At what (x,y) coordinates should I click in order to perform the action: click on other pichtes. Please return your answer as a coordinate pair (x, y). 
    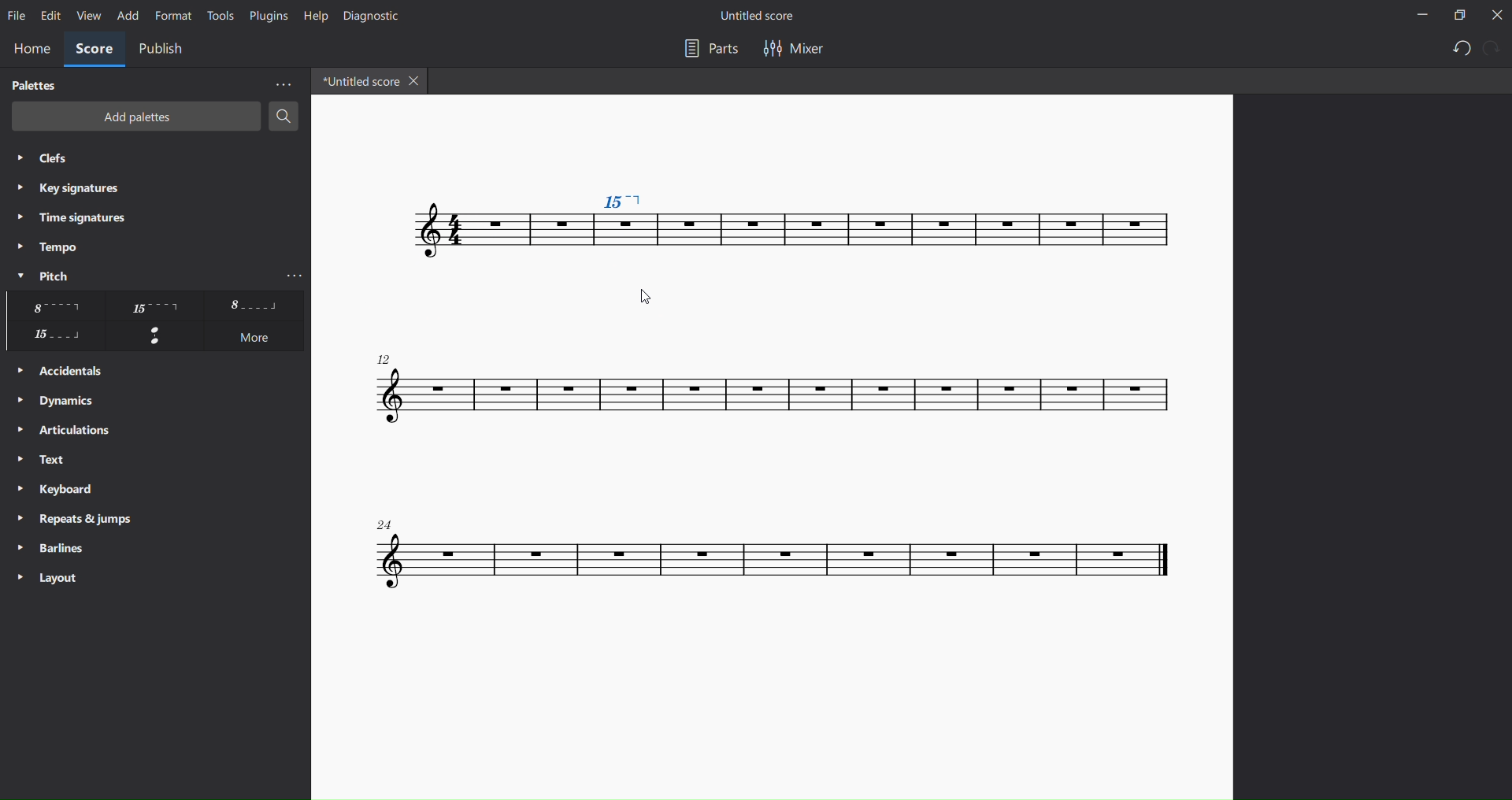
    Looking at the image, I should click on (154, 306).